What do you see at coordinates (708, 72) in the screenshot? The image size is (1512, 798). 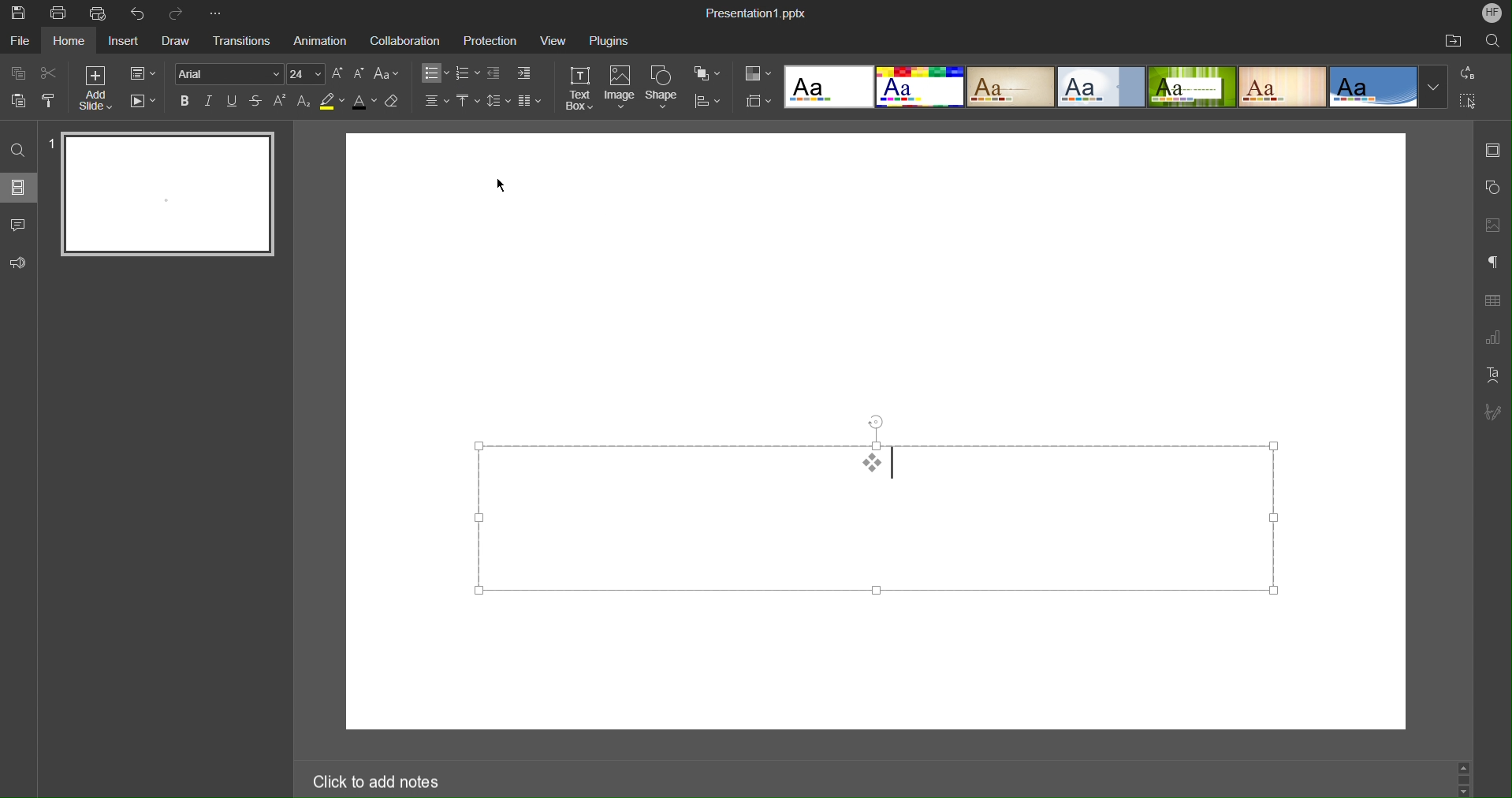 I see `Arrange` at bounding box center [708, 72].